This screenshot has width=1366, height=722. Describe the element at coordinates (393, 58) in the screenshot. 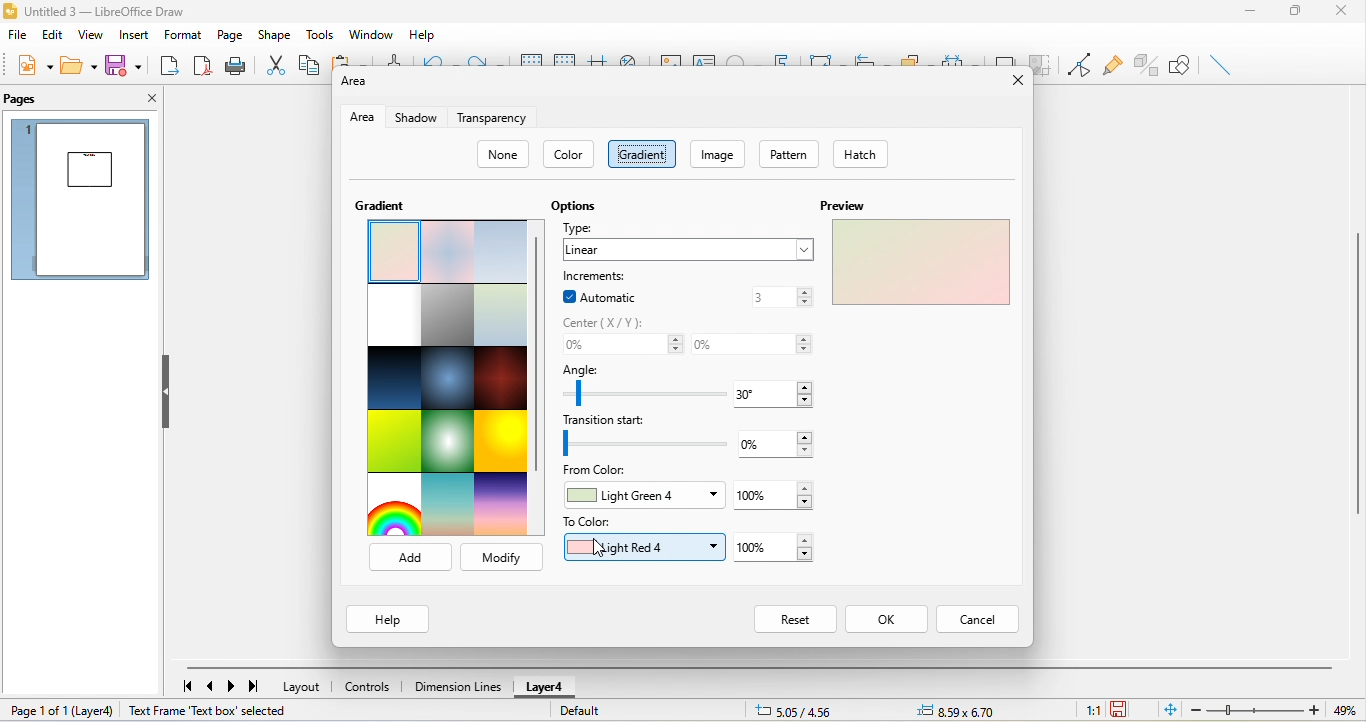

I see `clone formatting` at that location.